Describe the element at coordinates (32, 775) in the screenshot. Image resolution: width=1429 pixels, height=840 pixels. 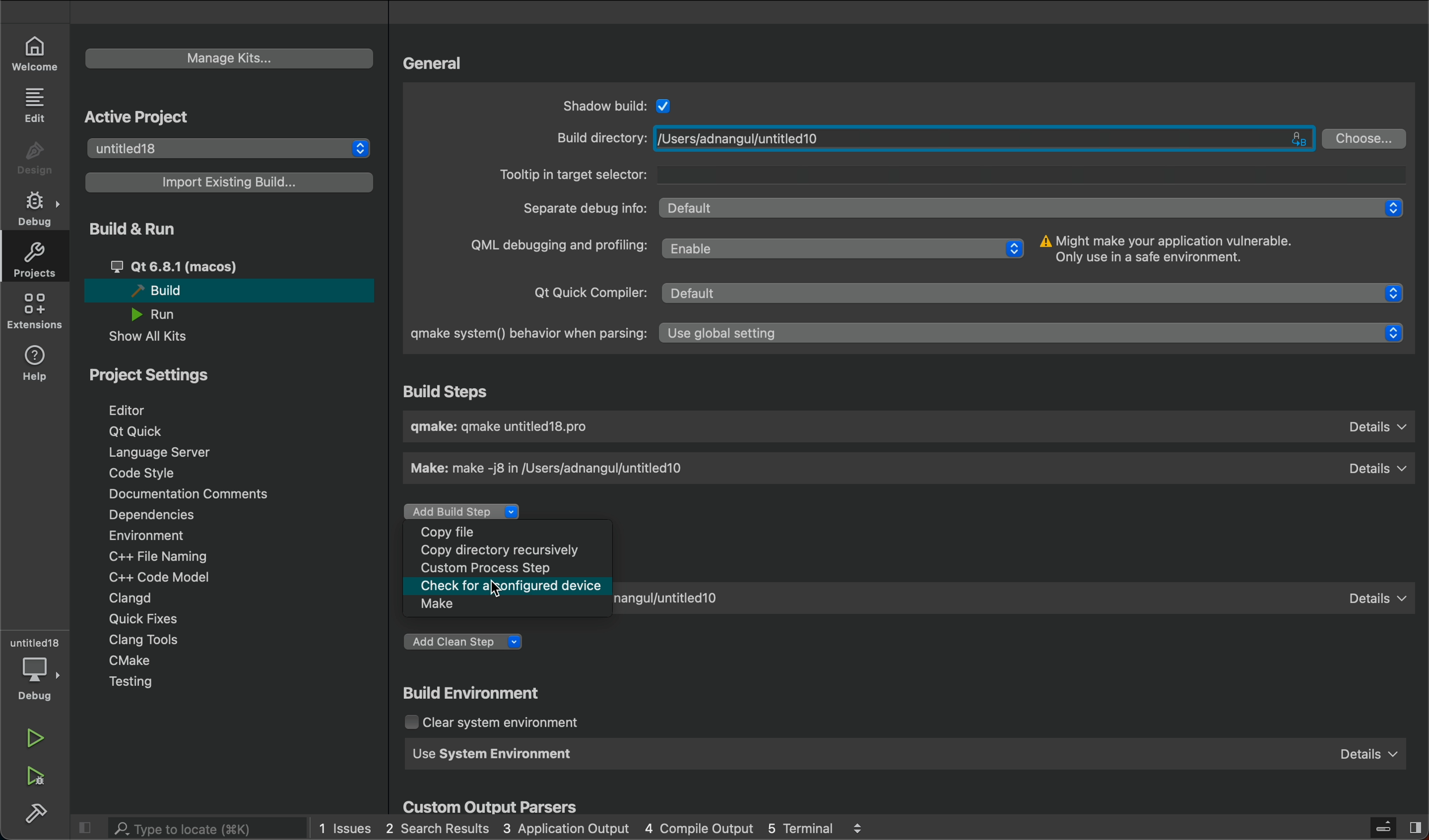
I see `run debug` at that location.